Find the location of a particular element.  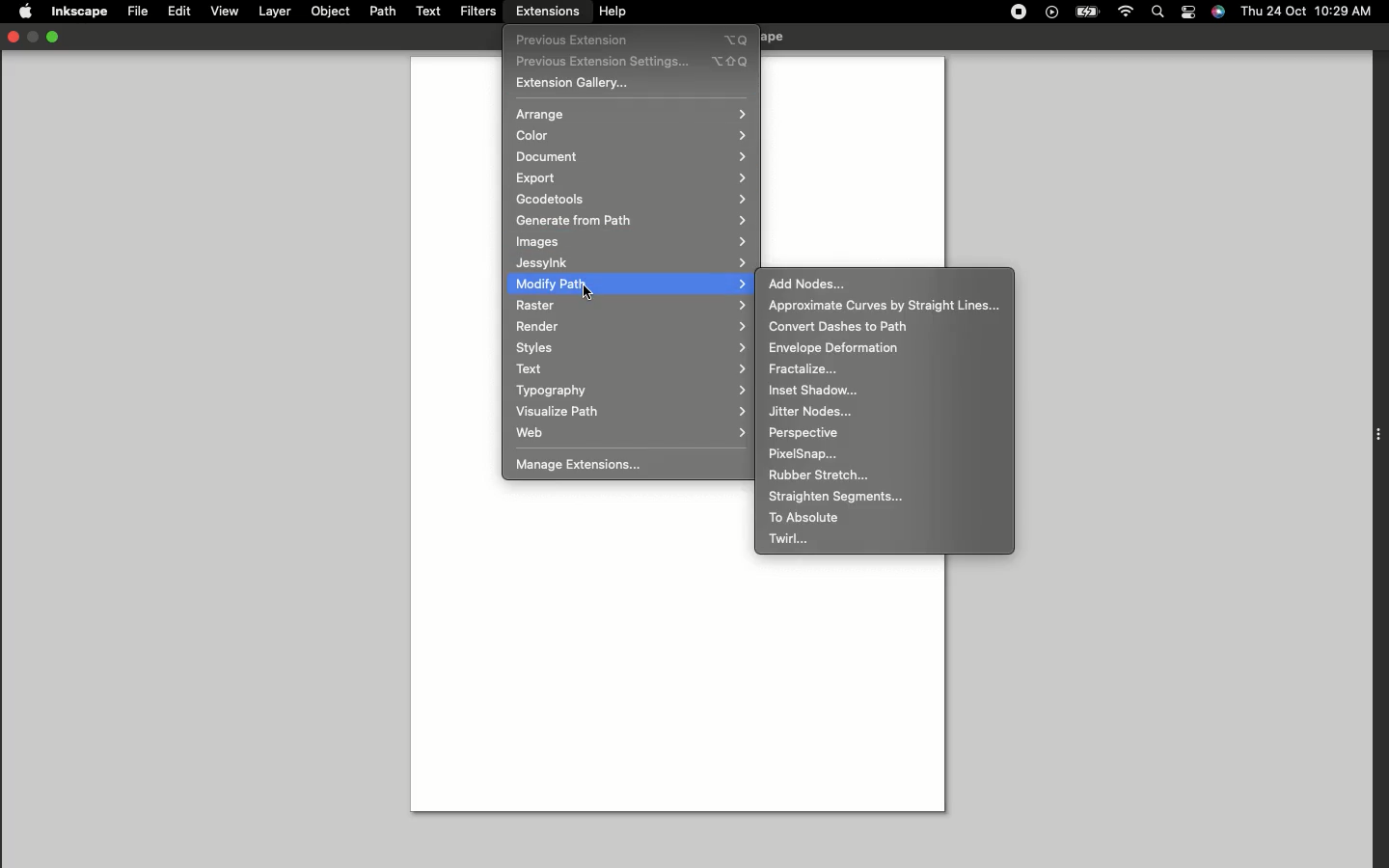

Add nodes is located at coordinates (807, 283).